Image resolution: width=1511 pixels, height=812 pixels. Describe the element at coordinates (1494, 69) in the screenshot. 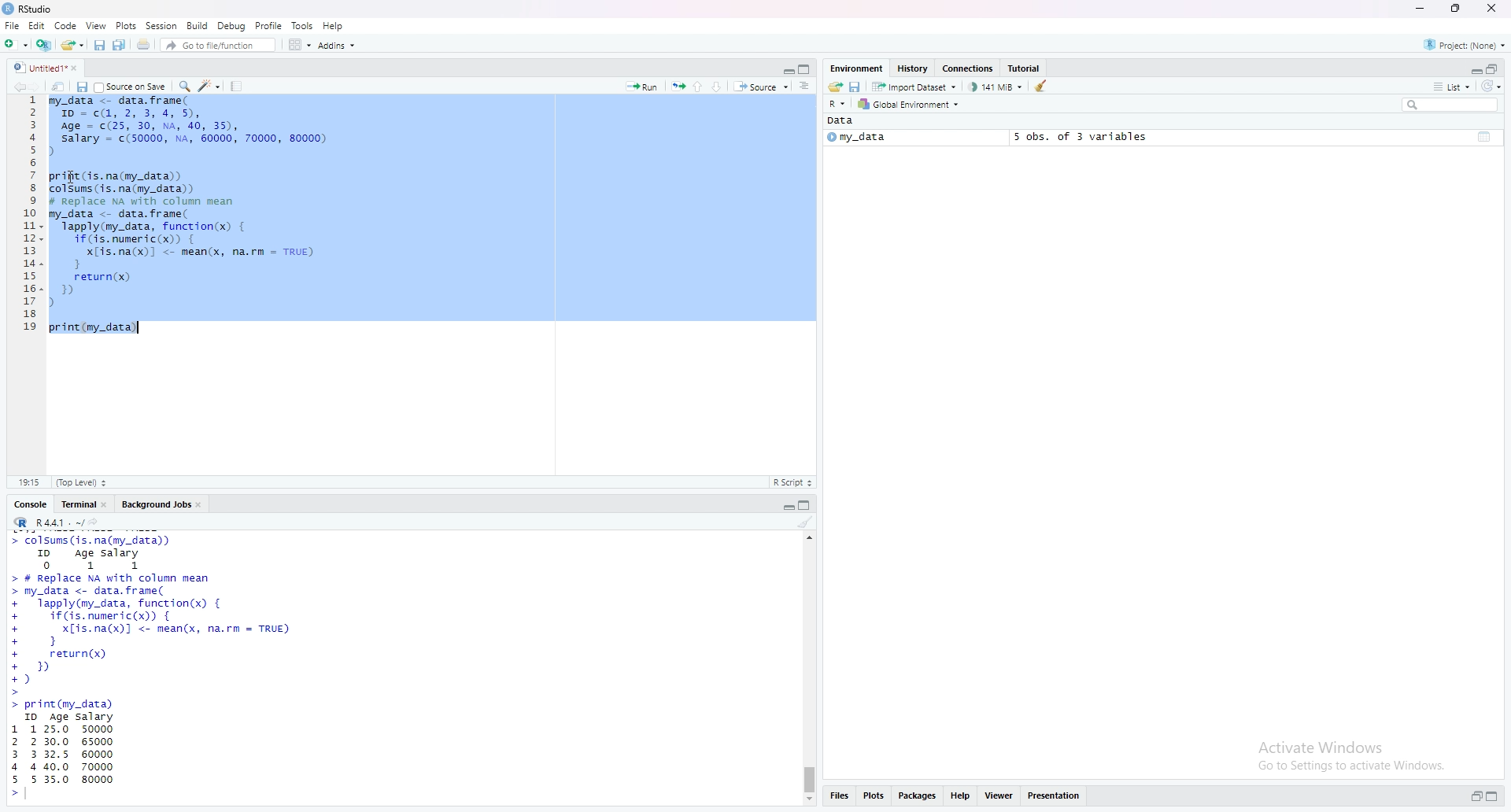

I see `collapse` at that location.